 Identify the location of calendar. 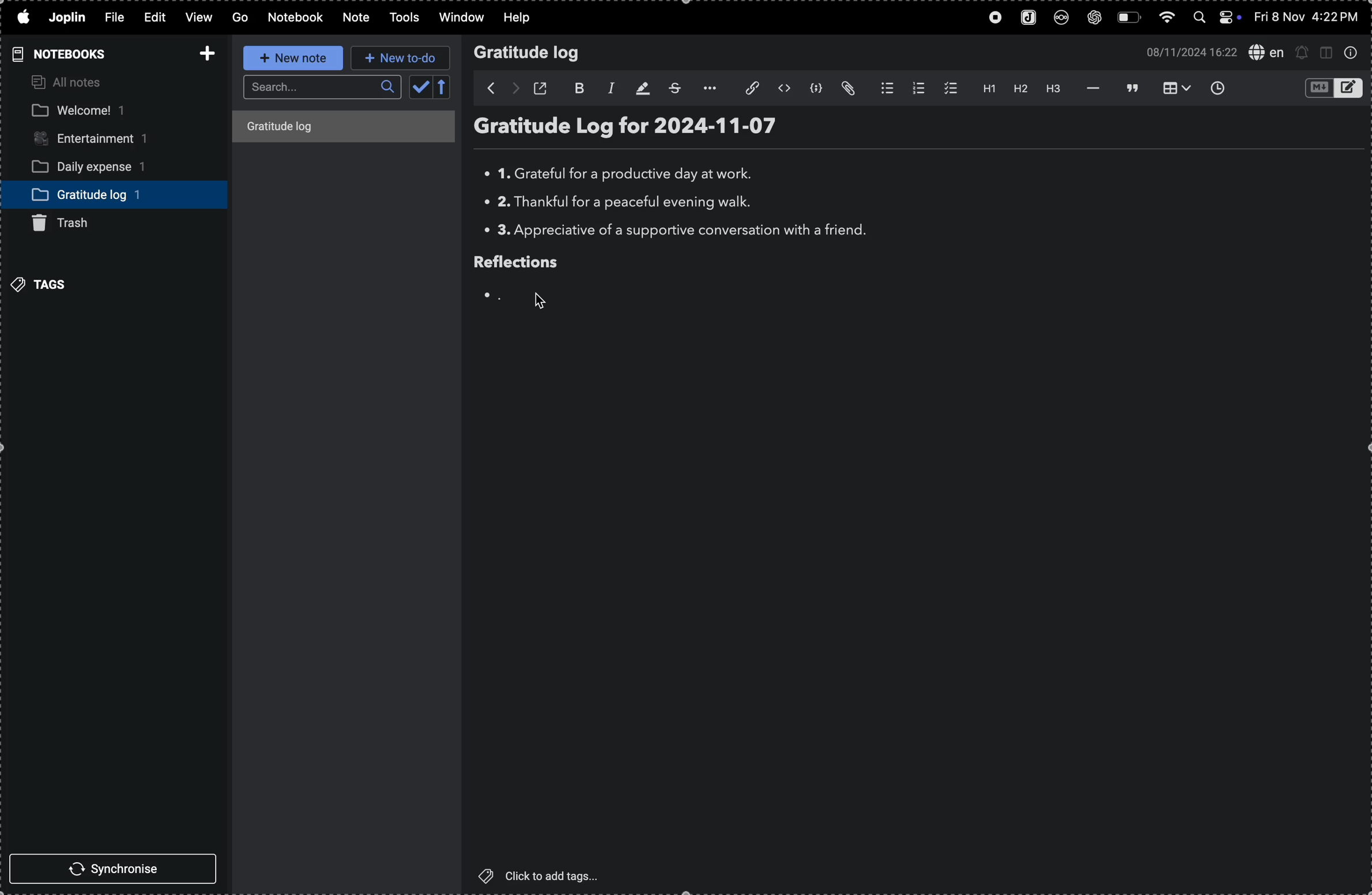
(432, 87).